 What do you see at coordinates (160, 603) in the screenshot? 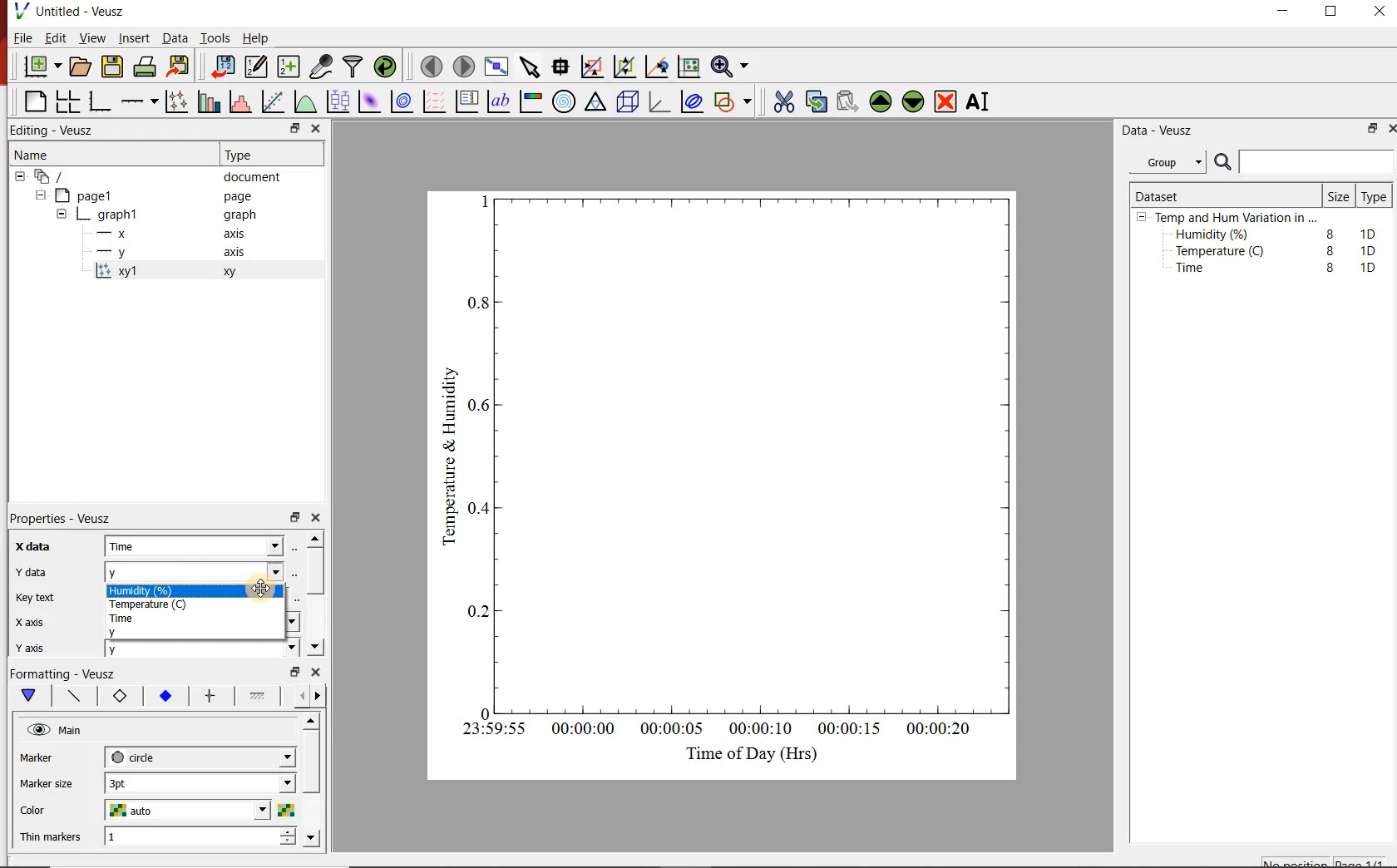
I see `Temperature (C)` at bounding box center [160, 603].